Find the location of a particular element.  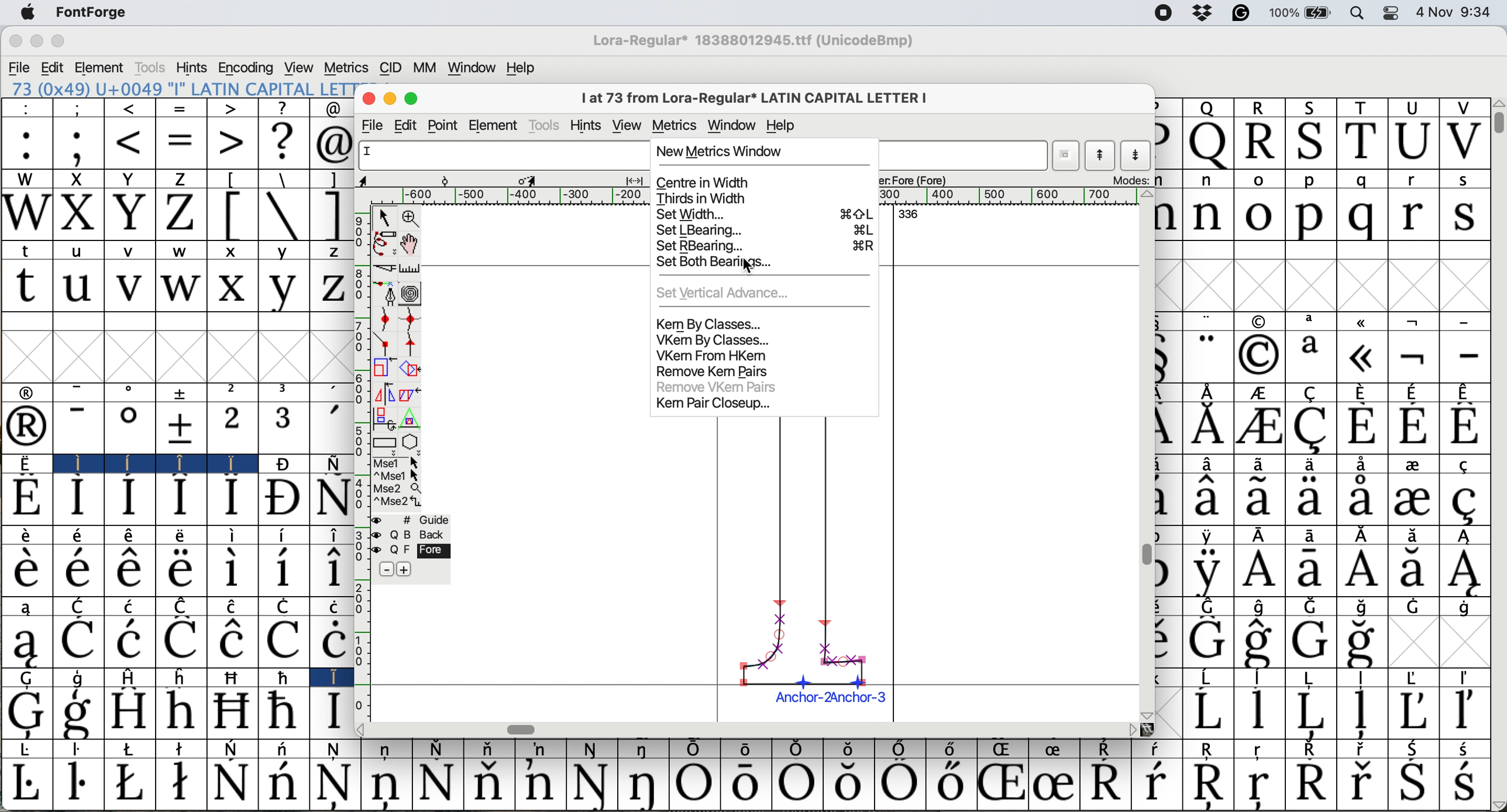

< is located at coordinates (131, 109).